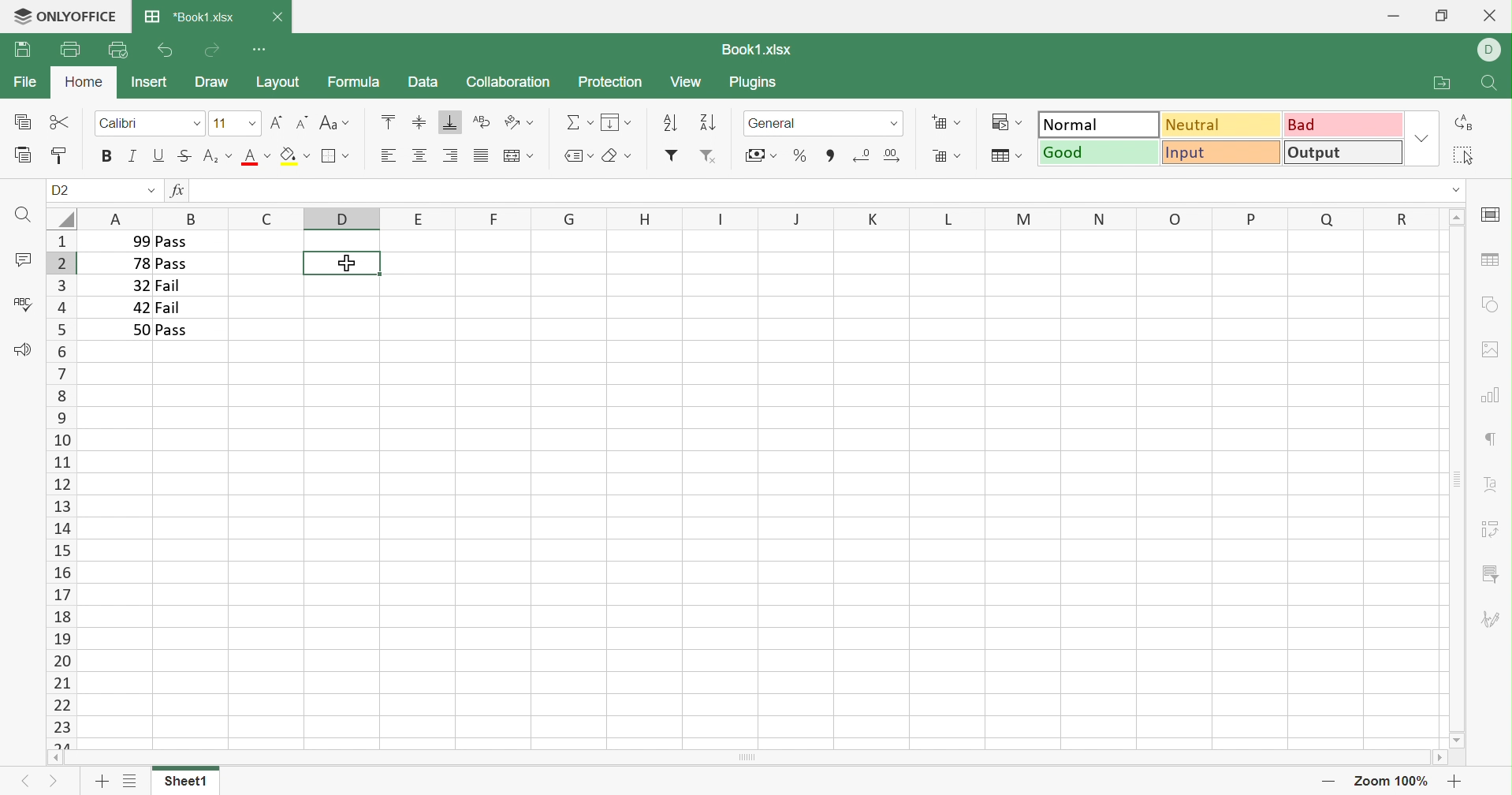 This screenshot has height=795, width=1512. Describe the element at coordinates (709, 122) in the screenshot. I see `Sort descending` at that location.